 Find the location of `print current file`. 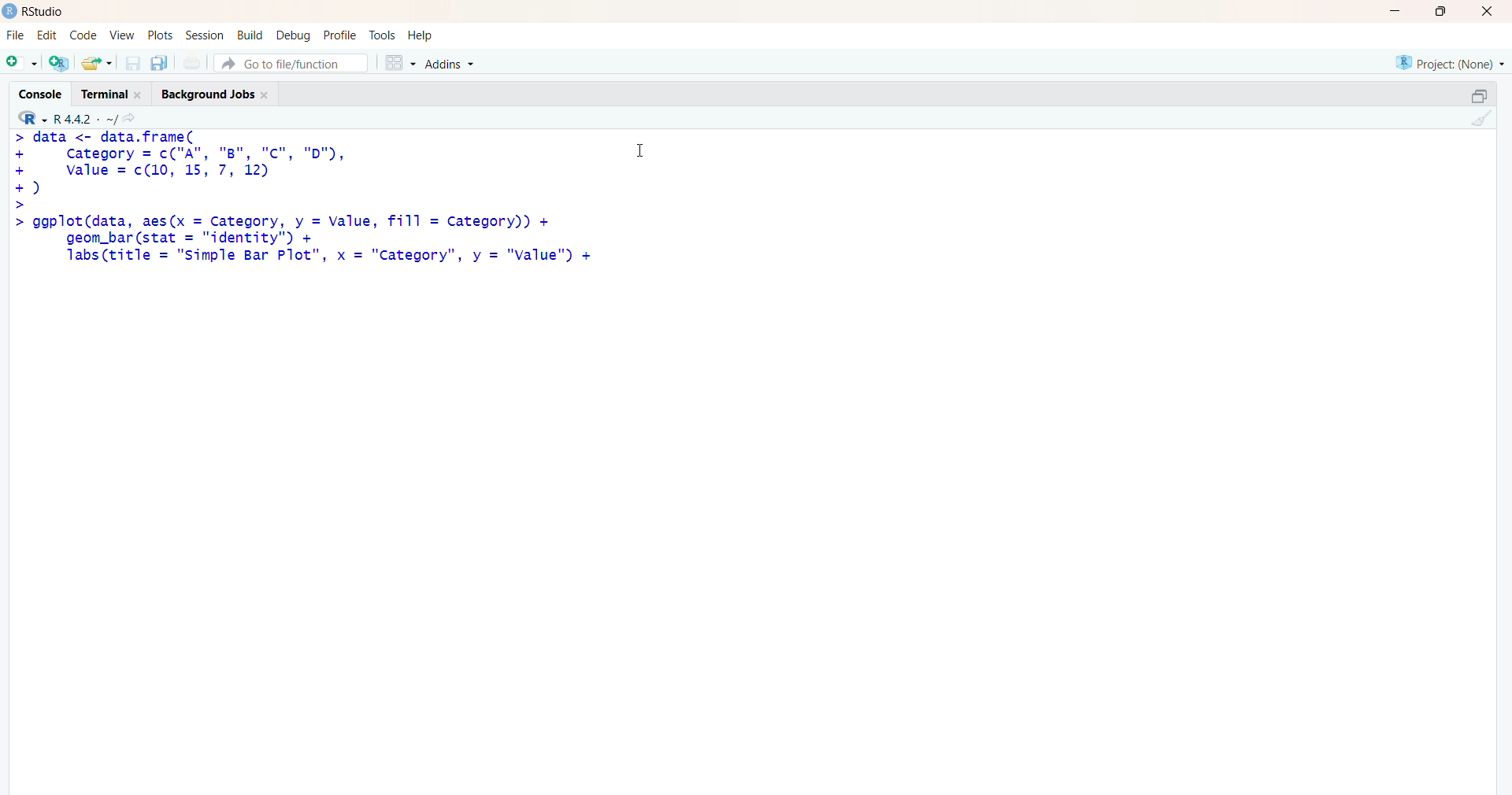

print current file is located at coordinates (190, 62).